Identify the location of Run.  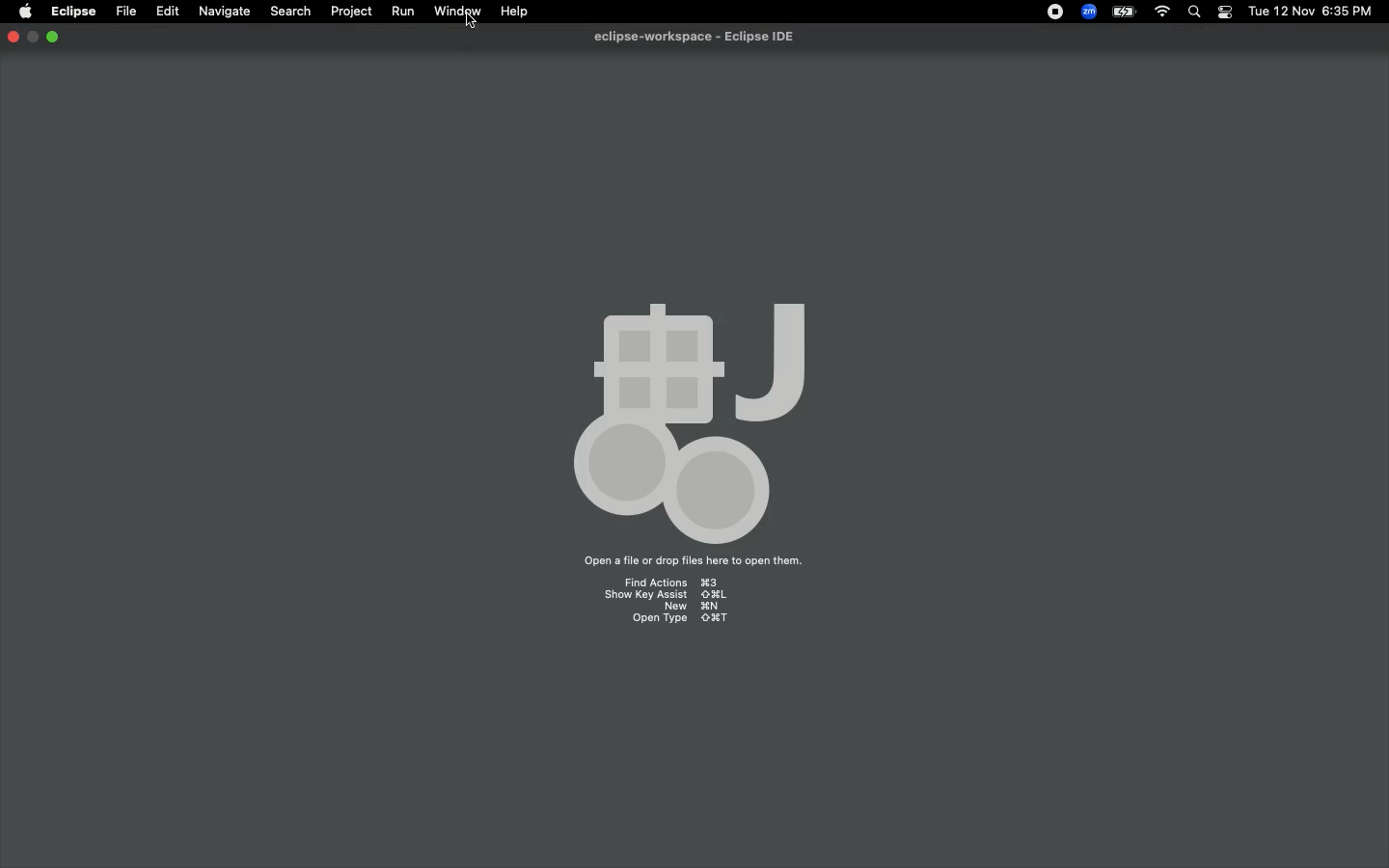
(404, 12).